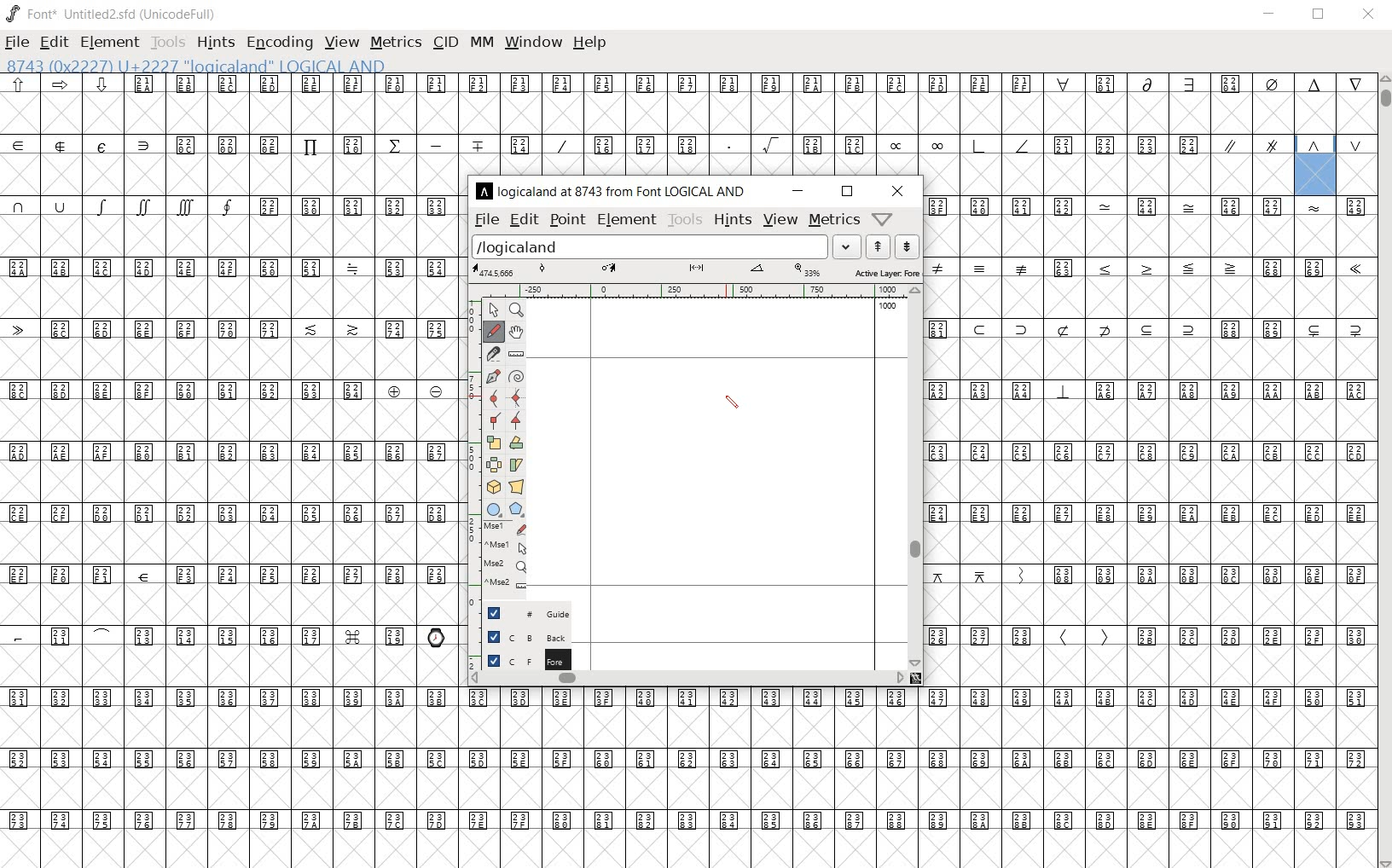 Image resolution: width=1392 pixels, height=868 pixels. Describe the element at coordinates (686, 678) in the screenshot. I see `scrollbar` at that location.